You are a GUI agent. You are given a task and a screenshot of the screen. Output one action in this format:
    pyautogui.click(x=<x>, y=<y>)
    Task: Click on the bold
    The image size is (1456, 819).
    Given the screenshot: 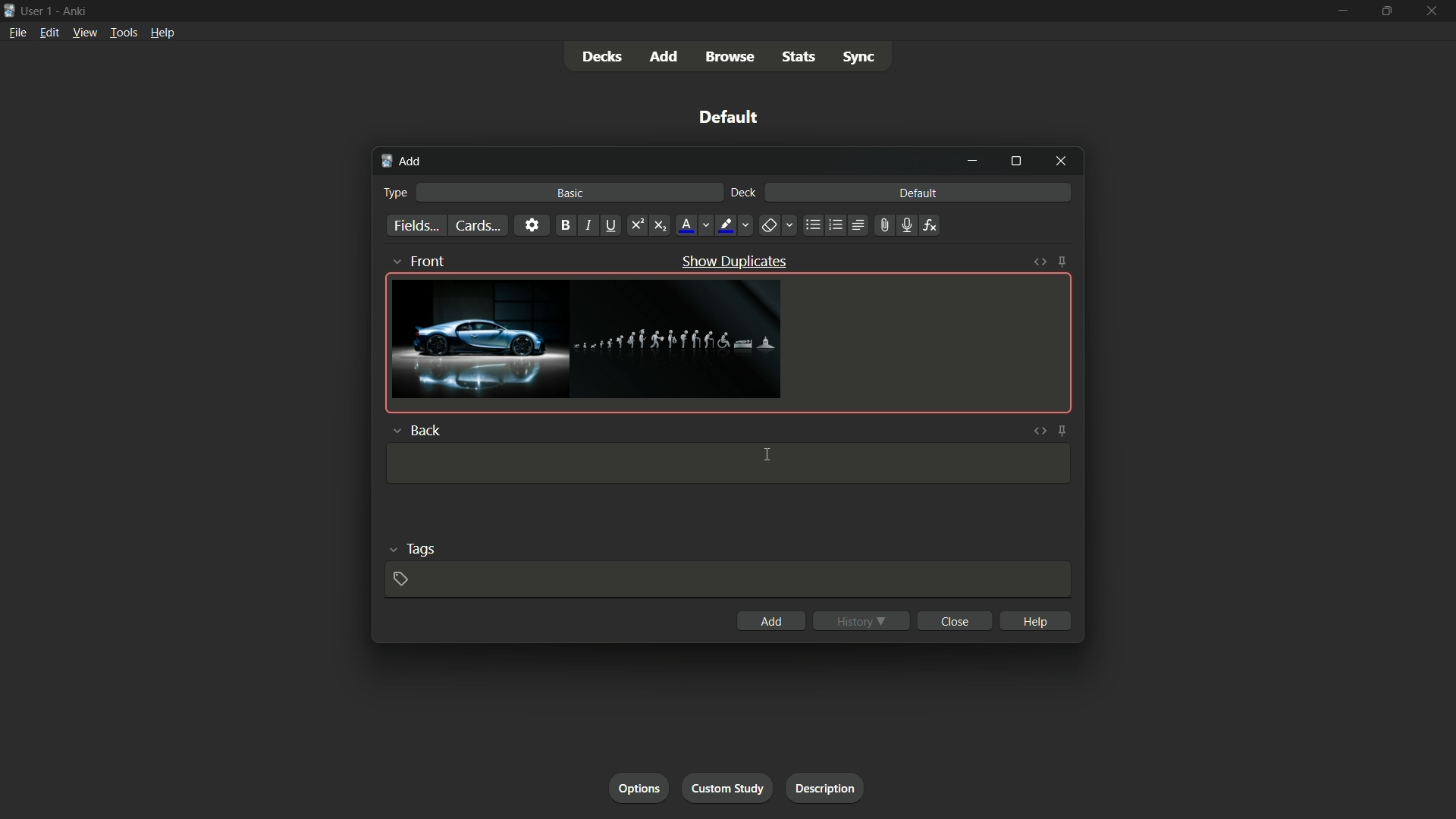 What is the action you would take?
    pyautogui.click(x=566, y=225)
    